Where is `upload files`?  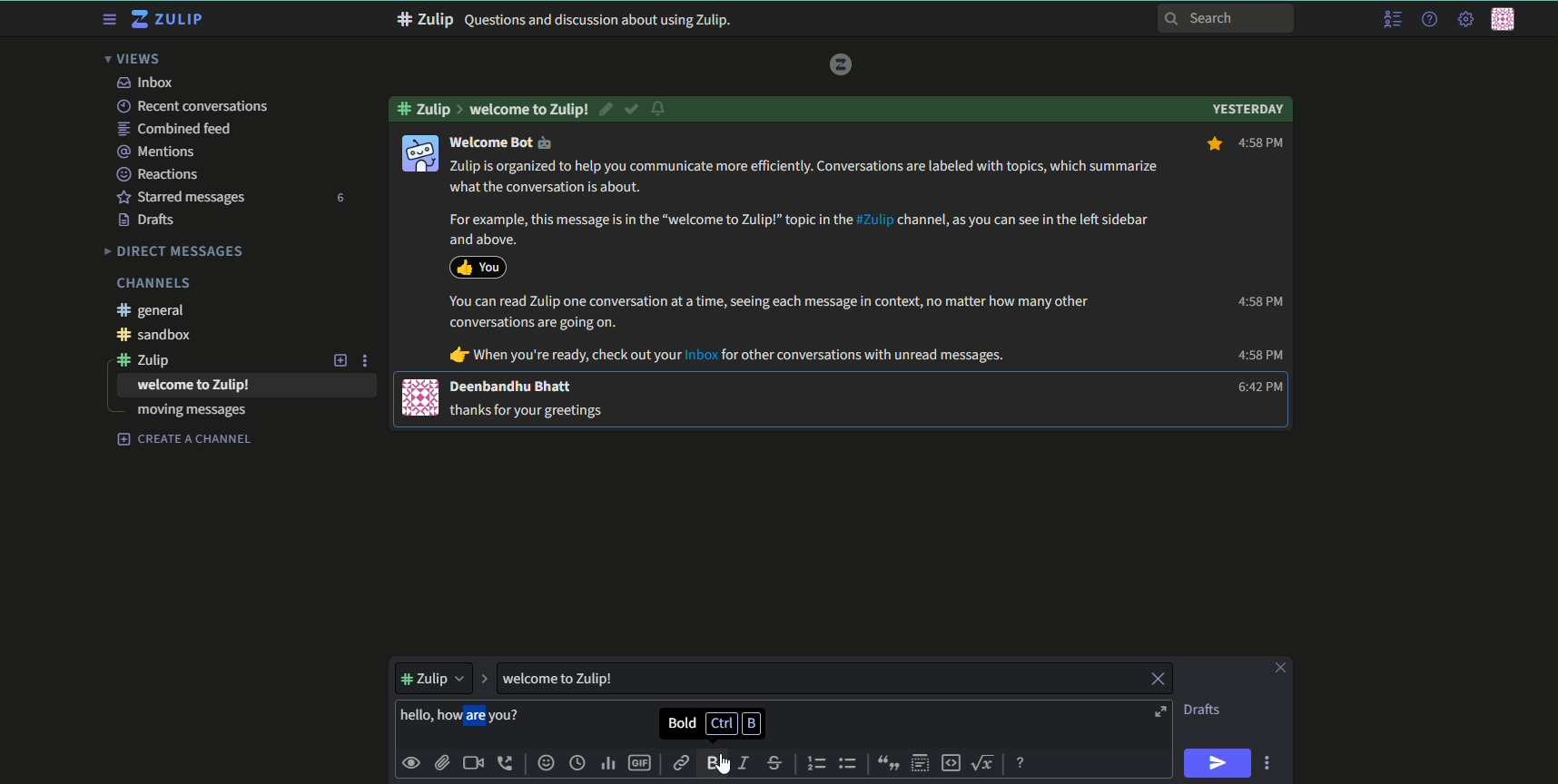
upload files is located at coordinates (441, 761).